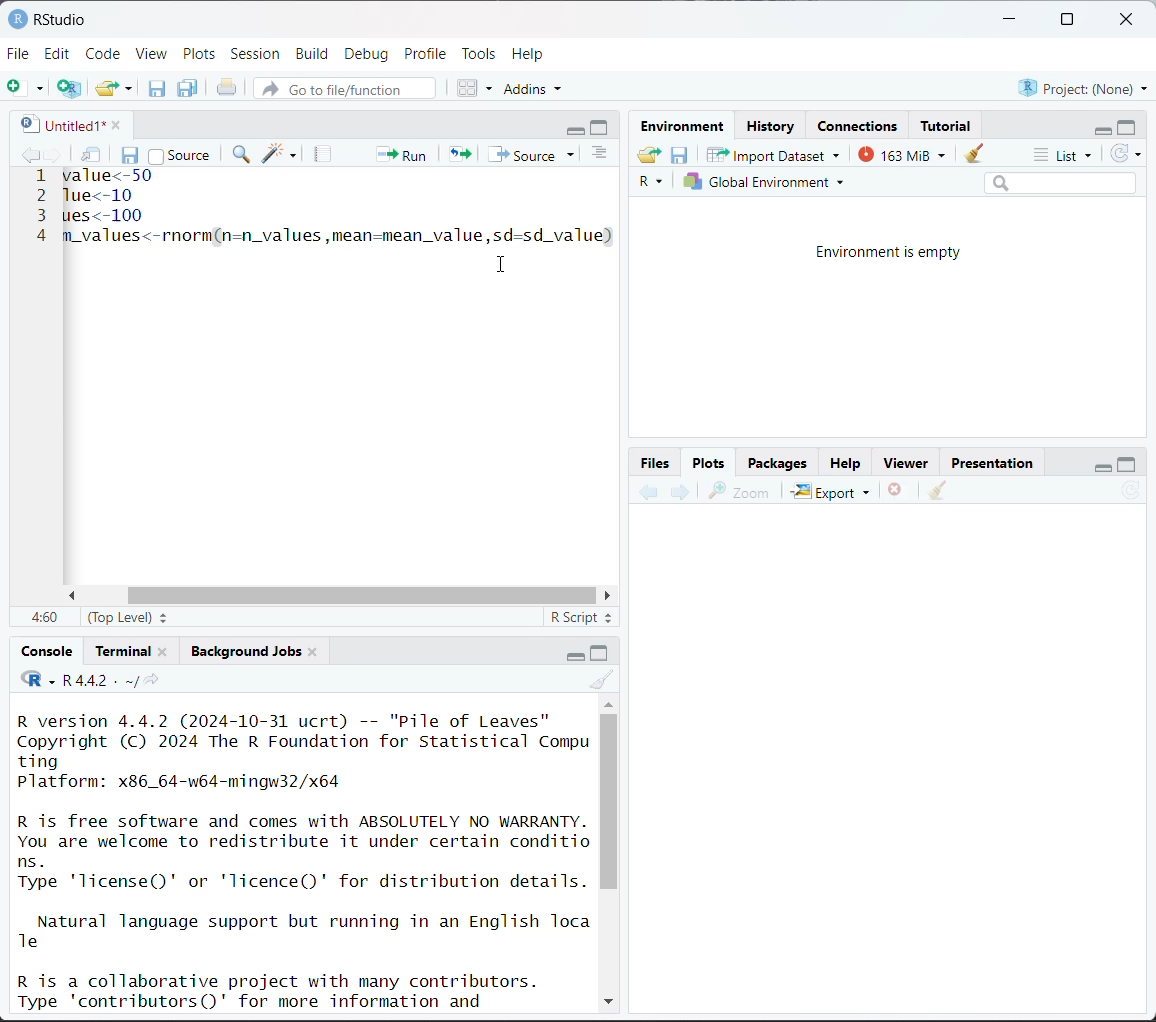 The width and height of the screenshot is (1156, 1022). What do you see at coordinates (503, 264) in the screenshot?
I see `cursor` at bounding box center [503, 264].